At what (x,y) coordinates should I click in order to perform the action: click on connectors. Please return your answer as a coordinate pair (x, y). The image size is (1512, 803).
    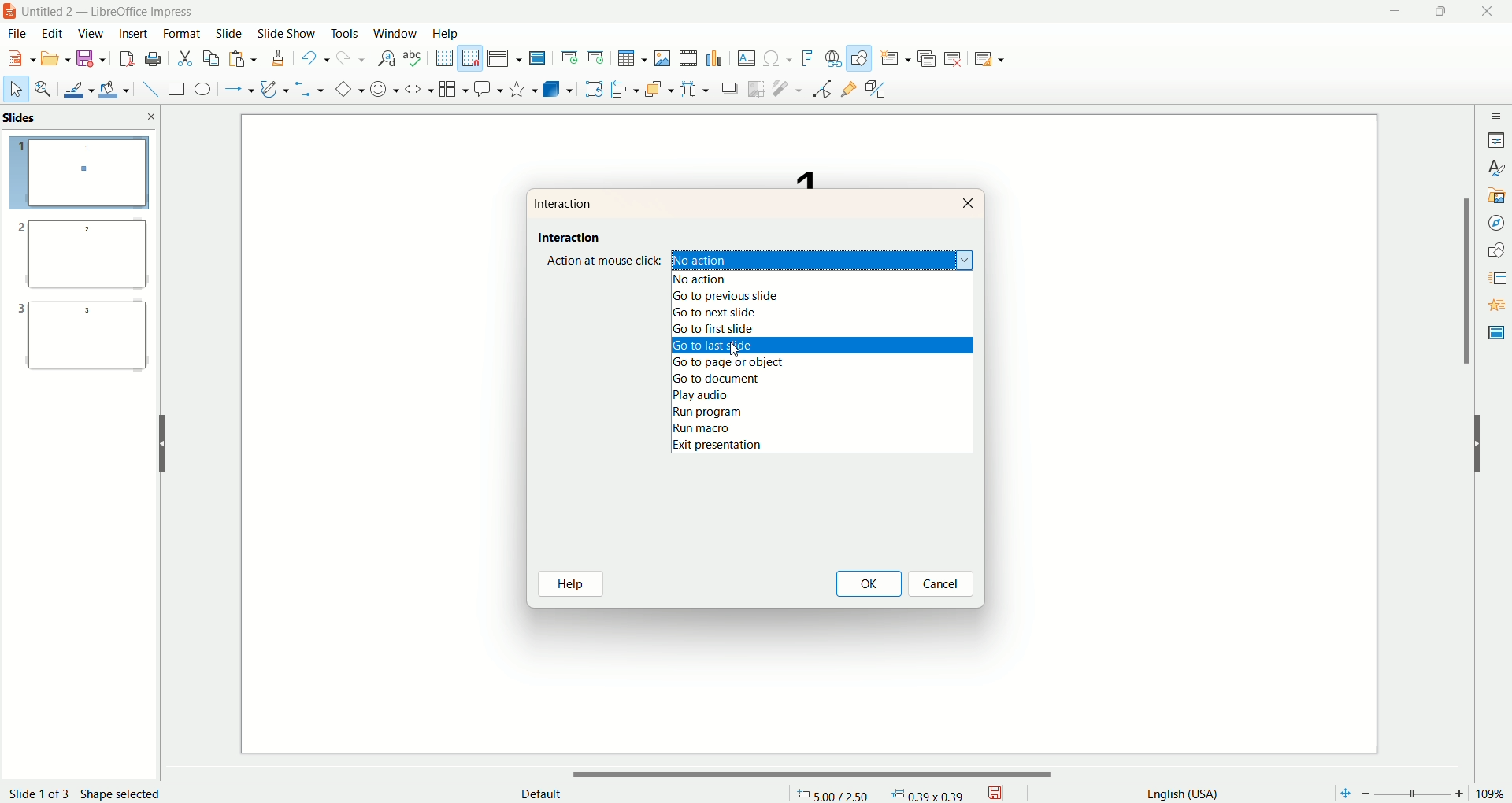
    Looking at the image, I should click on (309, 89).